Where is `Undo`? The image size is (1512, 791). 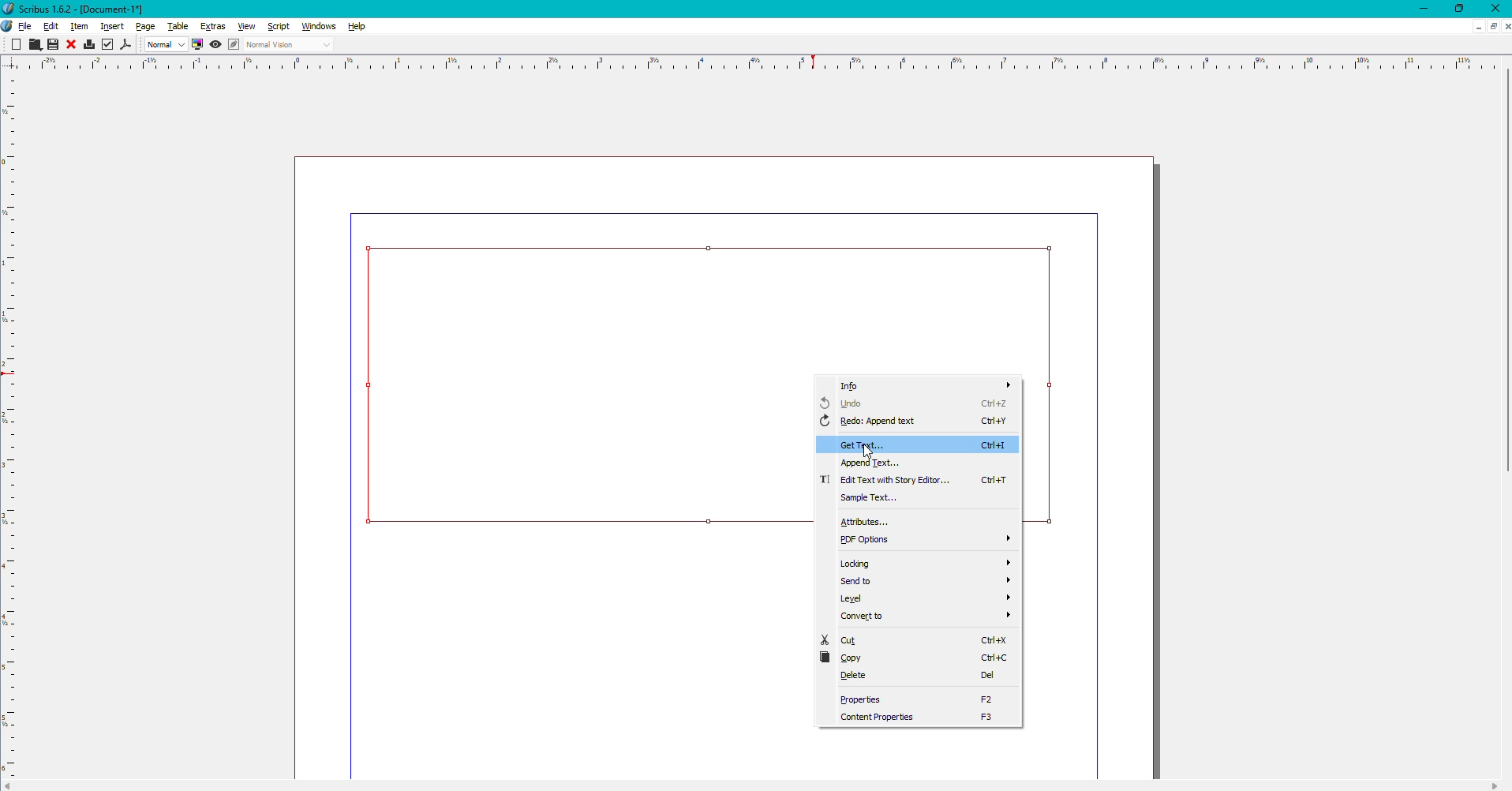 Undo is located at coordinates (915, 403).